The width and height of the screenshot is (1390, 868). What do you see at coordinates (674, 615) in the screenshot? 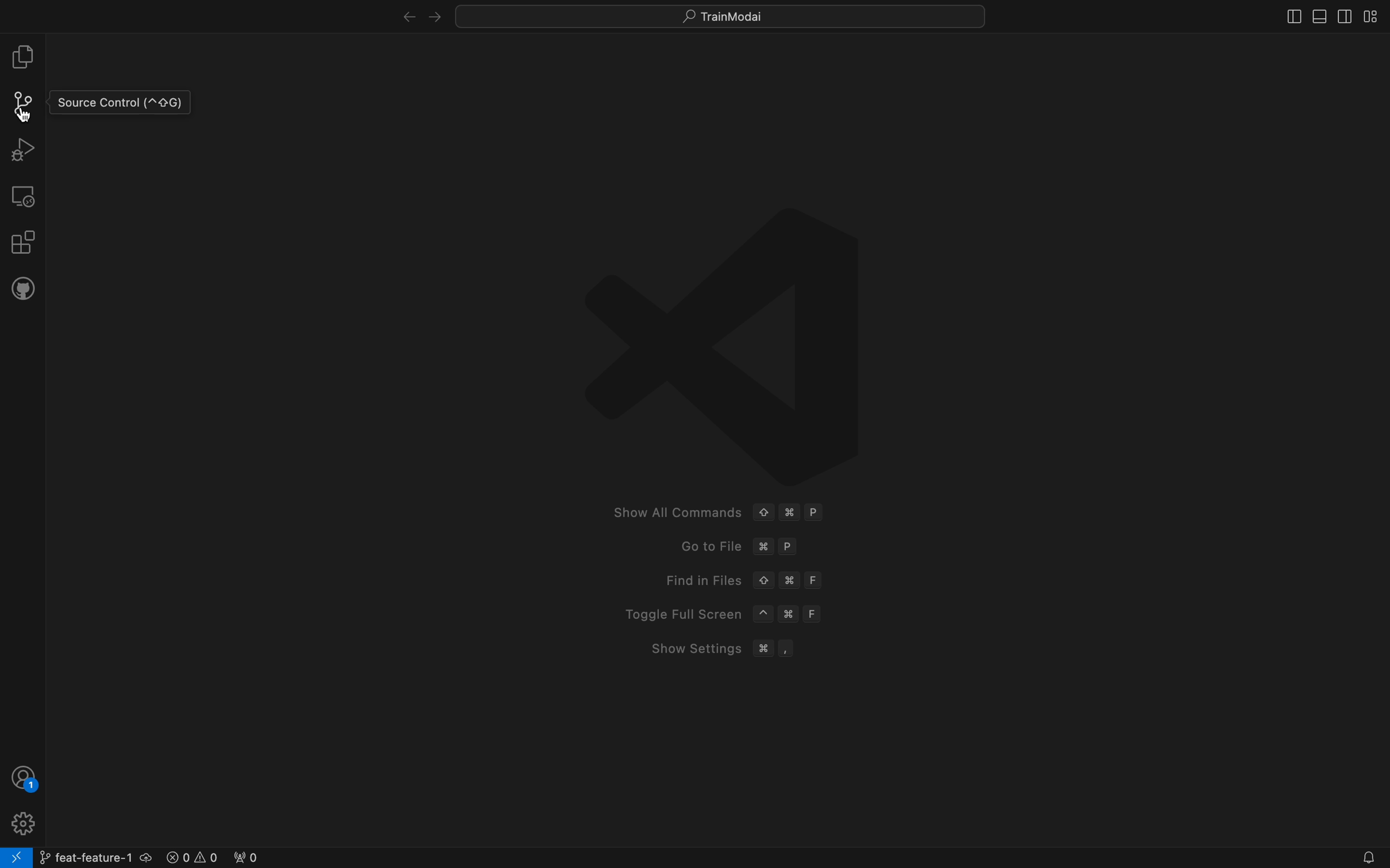
I see `Toggle Full Screen` at bounding box center [674, 615].